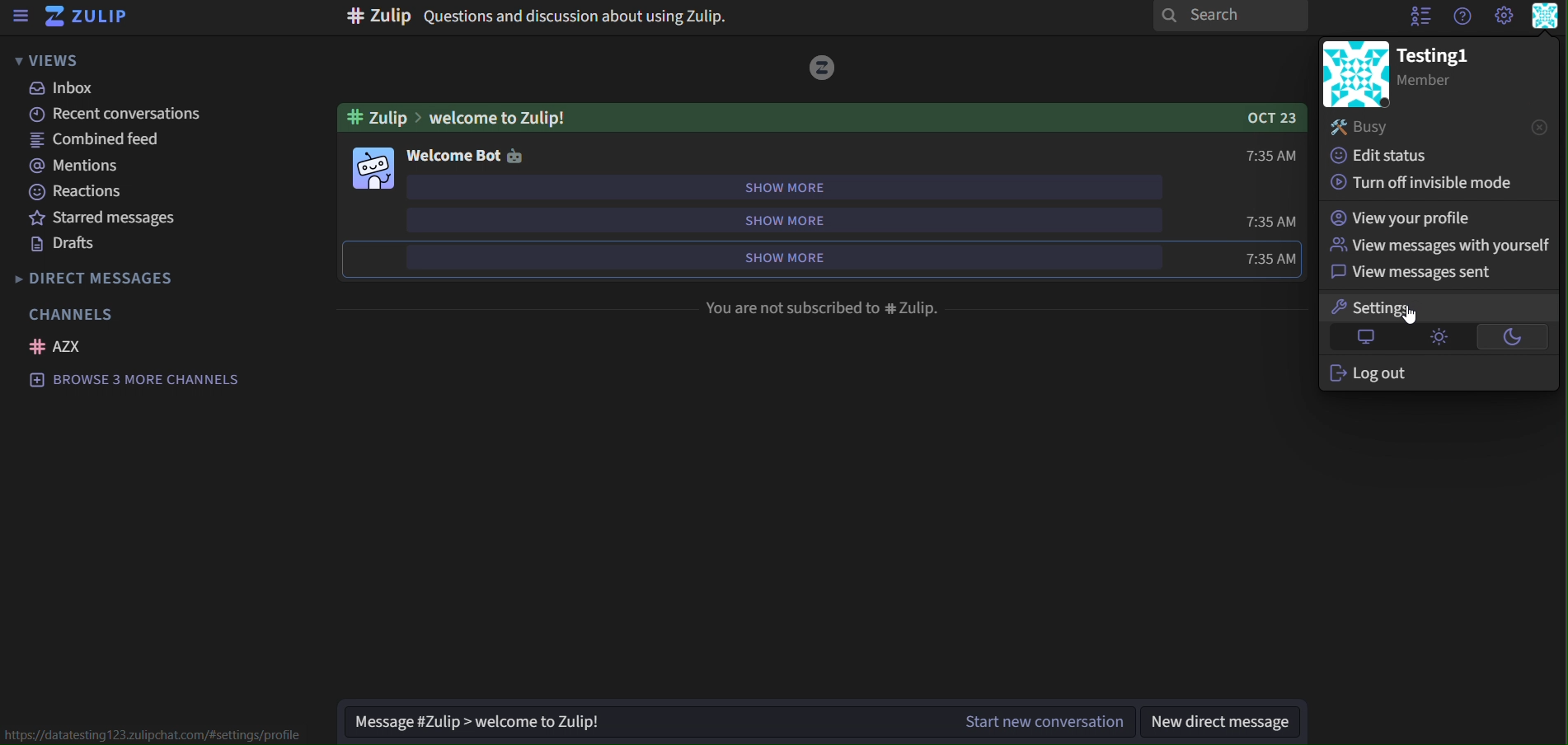  I want to click on view messages sent, so click(1409, 275).